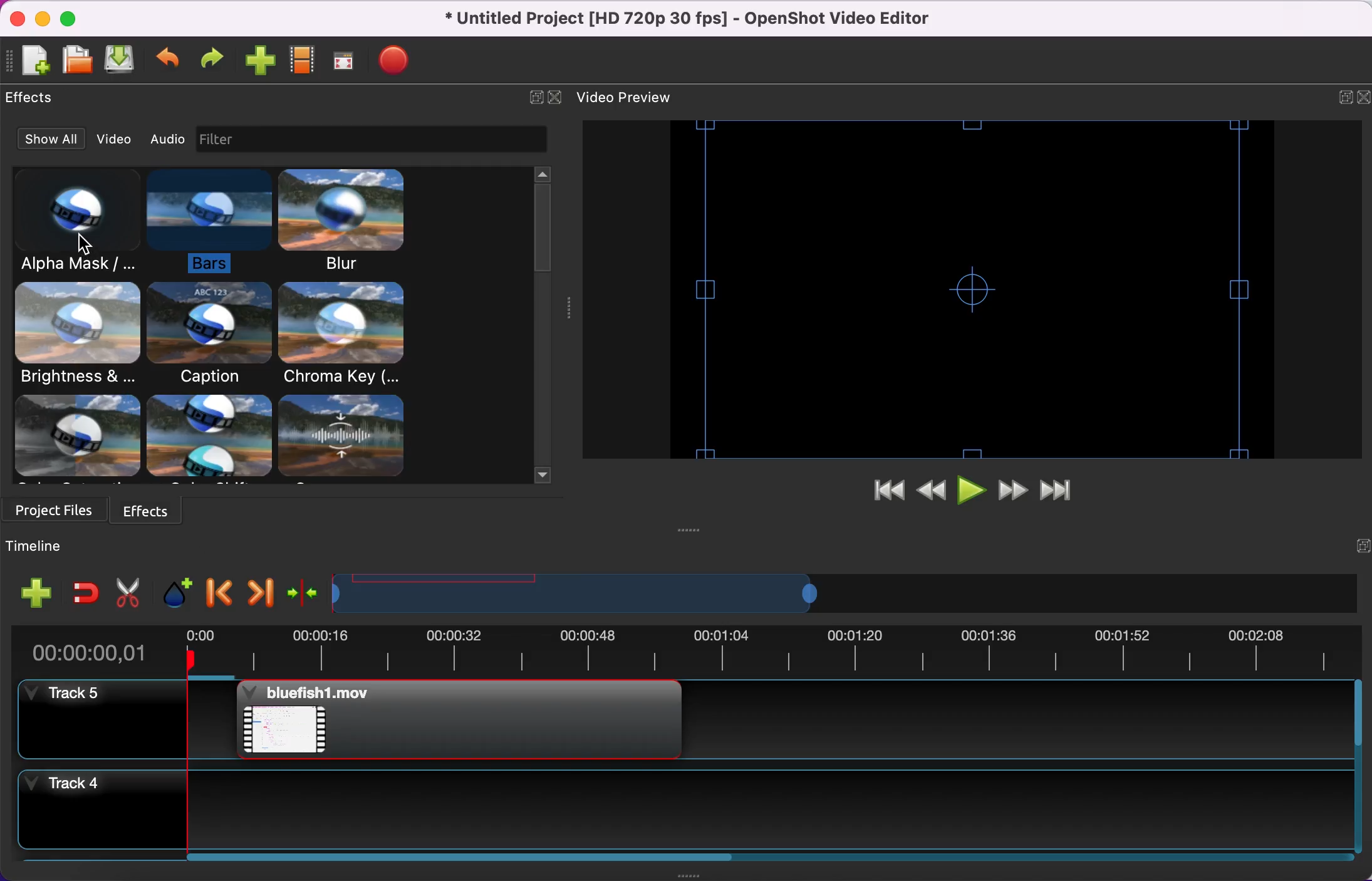 The width and height of the screenshot is (1372, 881). Describe the element at coordinates (301, 592) in the screenshot. I see `center the timeline` at that location.